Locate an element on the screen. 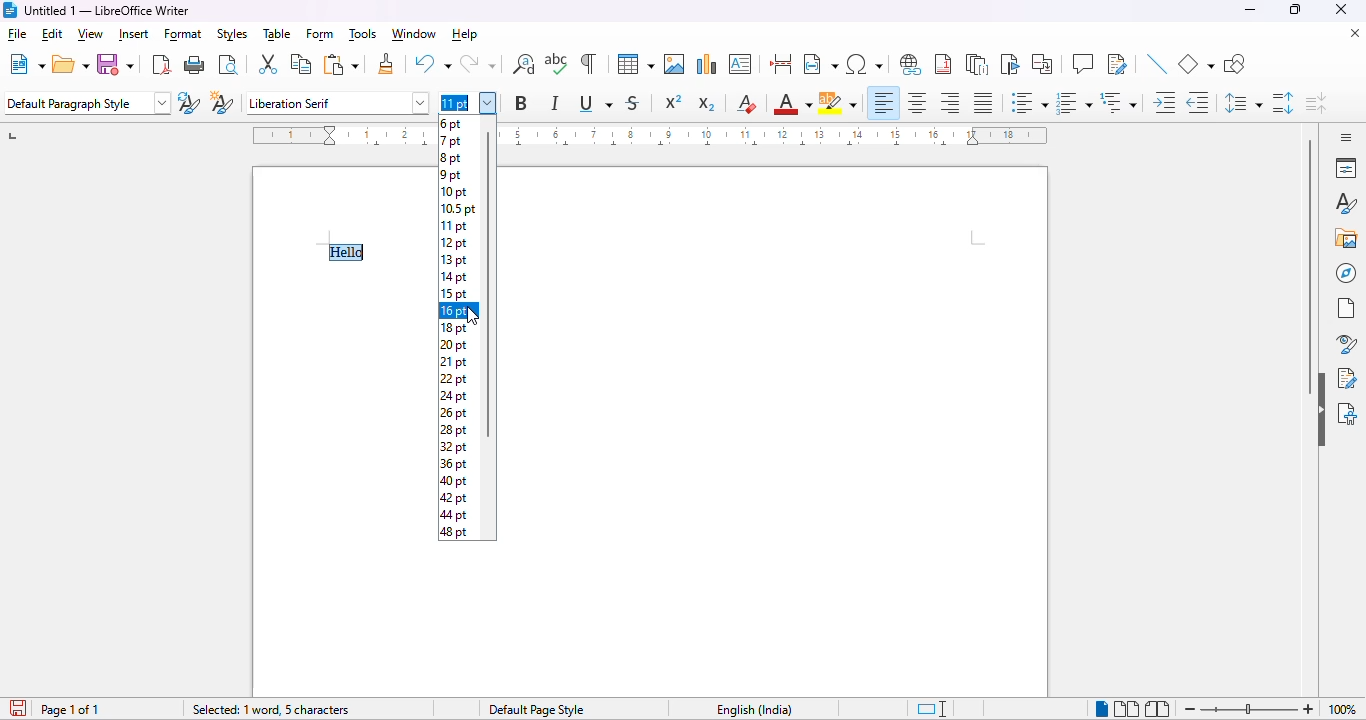  logo is located at coordinates (9, 10).